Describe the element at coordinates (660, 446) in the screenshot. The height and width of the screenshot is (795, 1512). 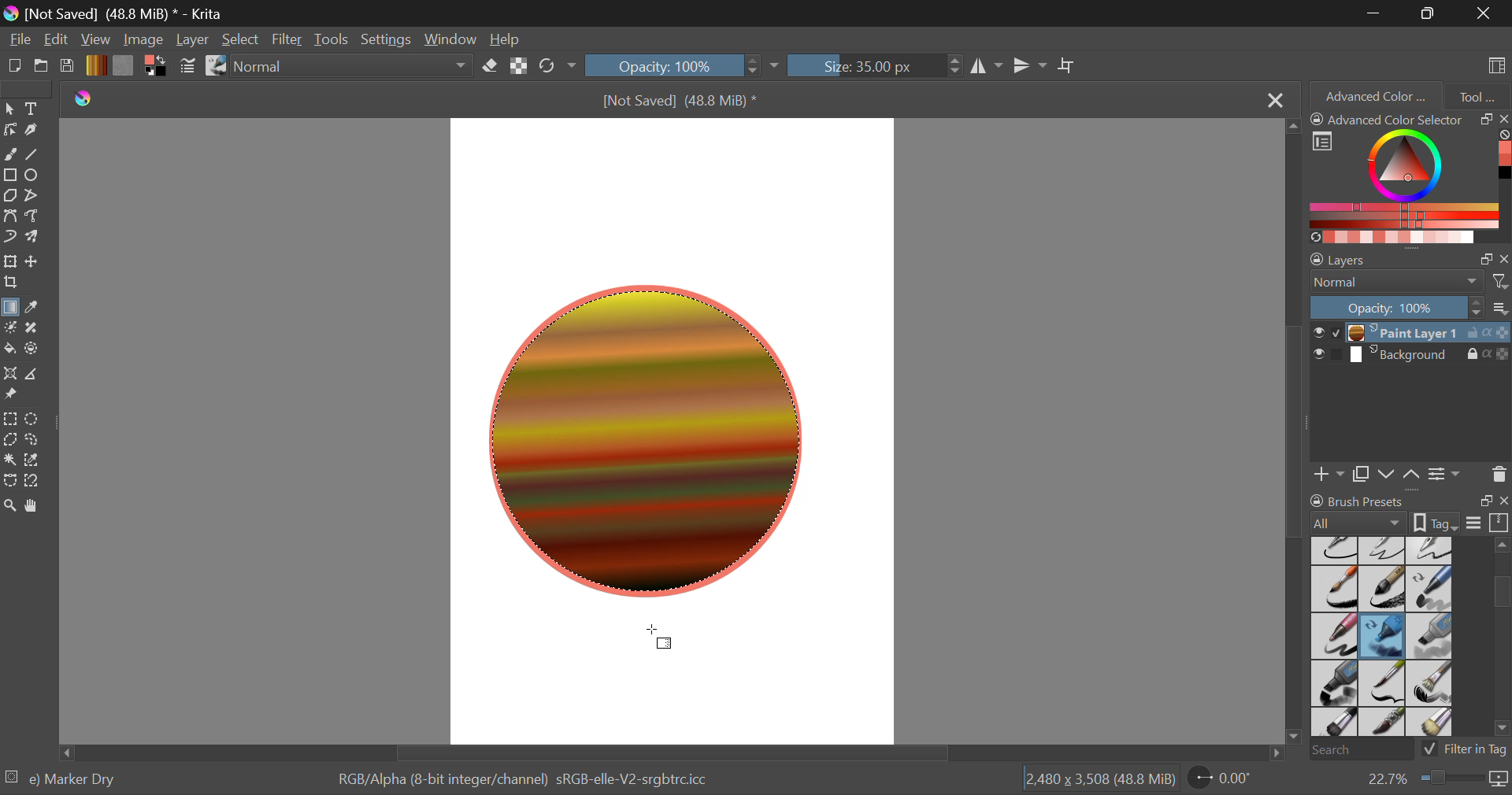
I see `Circle with gradient Fill` at that location.